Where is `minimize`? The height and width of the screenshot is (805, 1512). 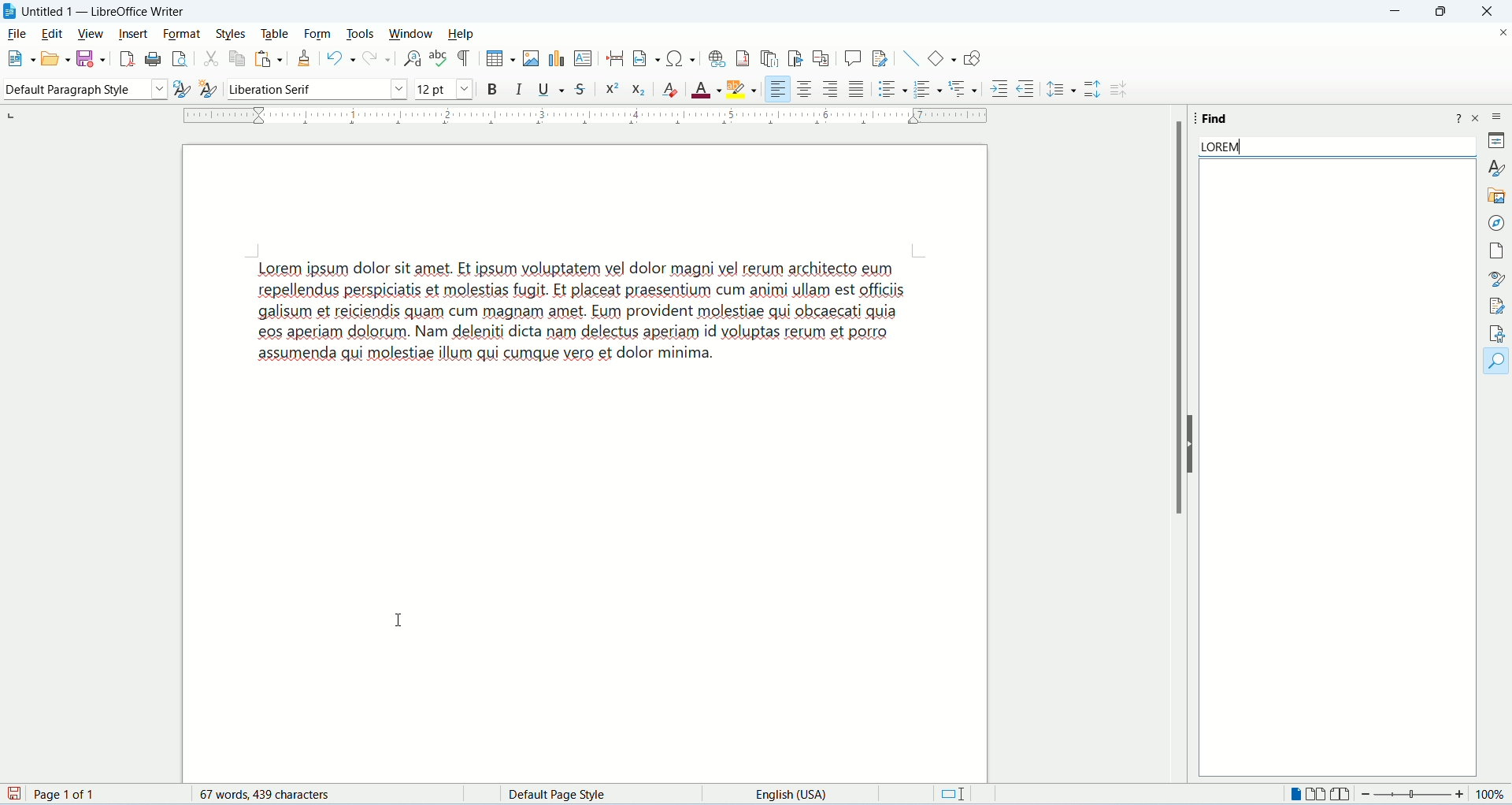
minimize is located at coordinates (1396, 11).